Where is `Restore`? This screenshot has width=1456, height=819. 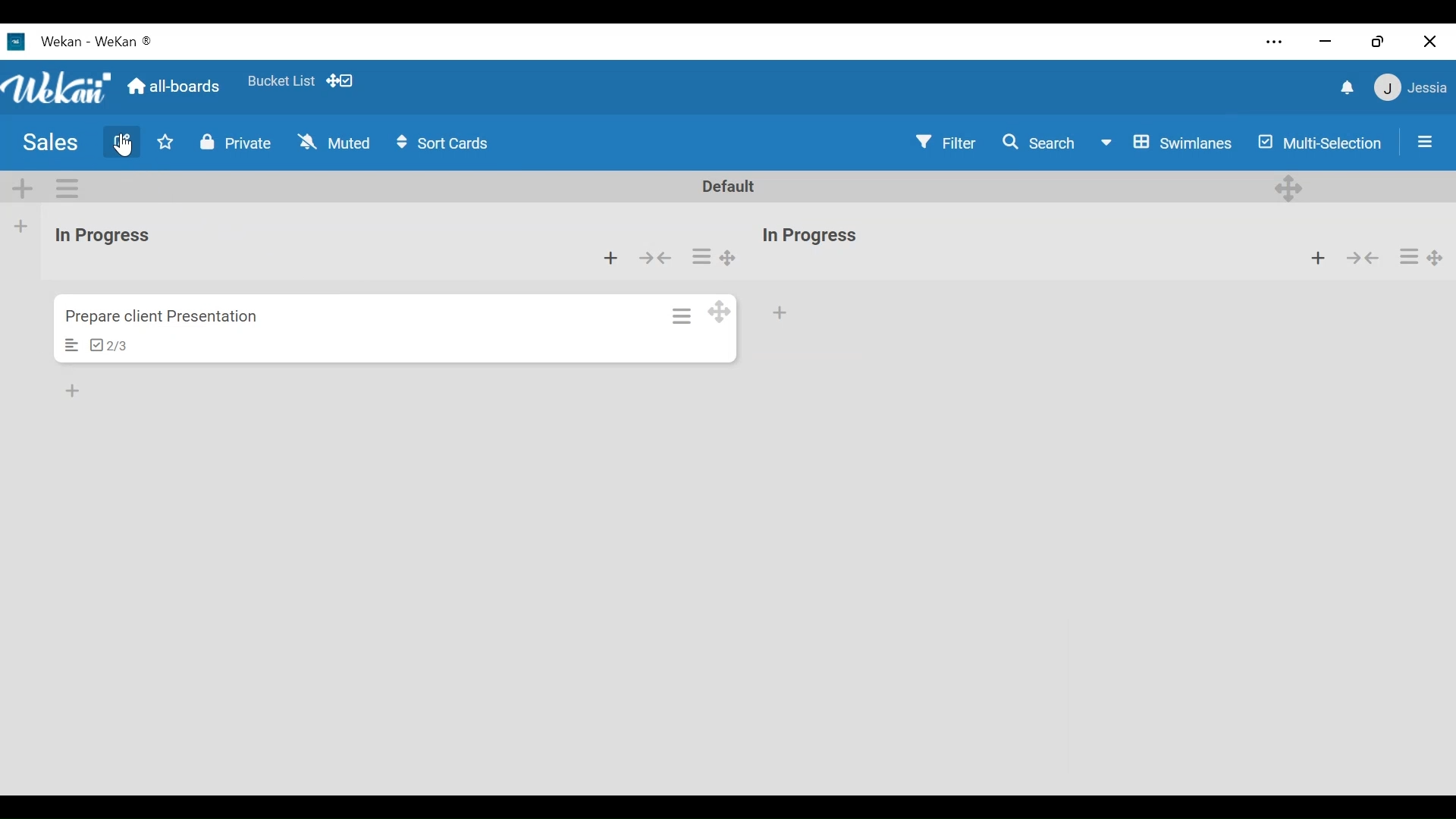 Restore is located at coordinates (1382, 40).